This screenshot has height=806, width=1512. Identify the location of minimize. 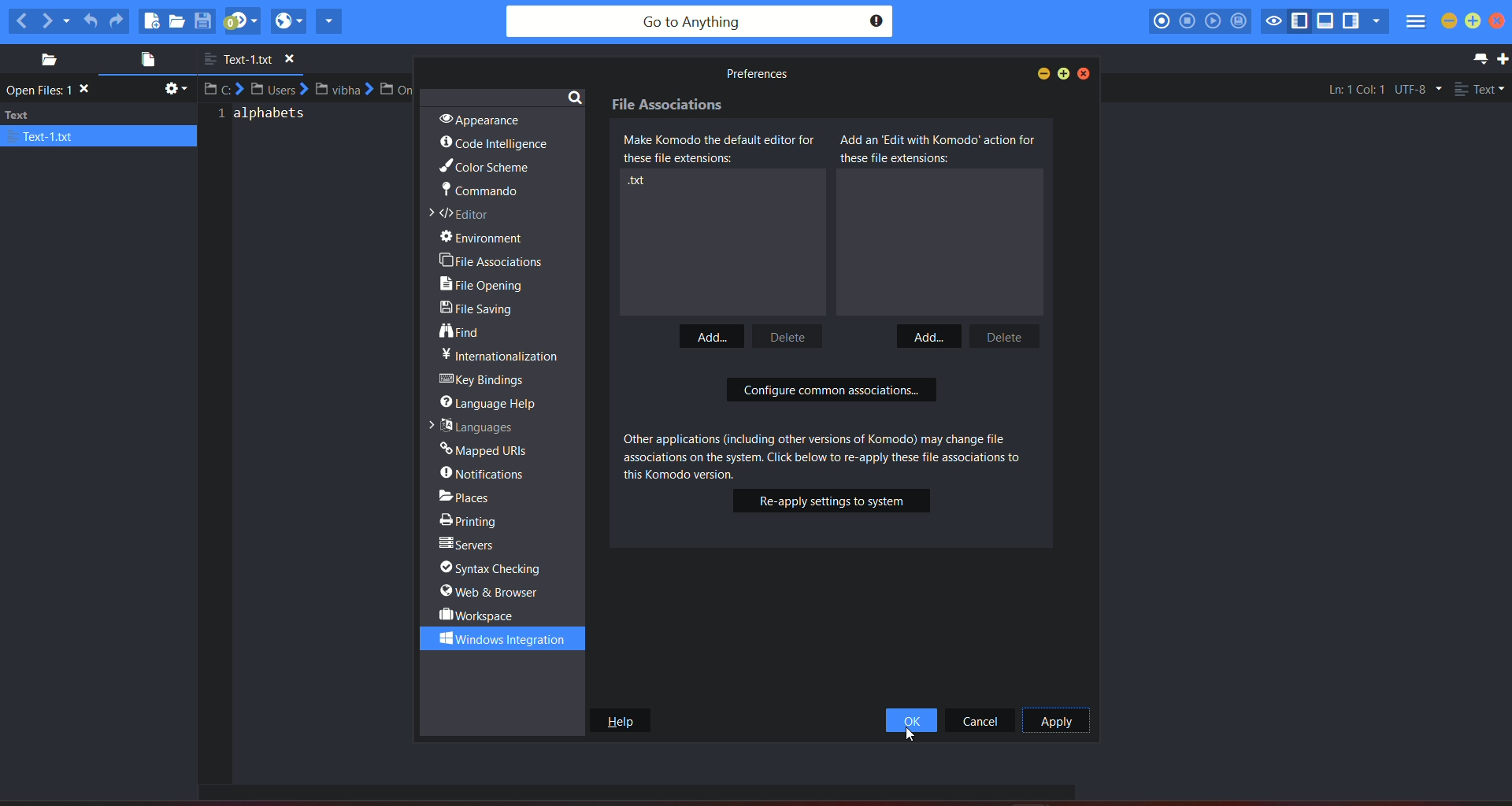
(1040, 73).